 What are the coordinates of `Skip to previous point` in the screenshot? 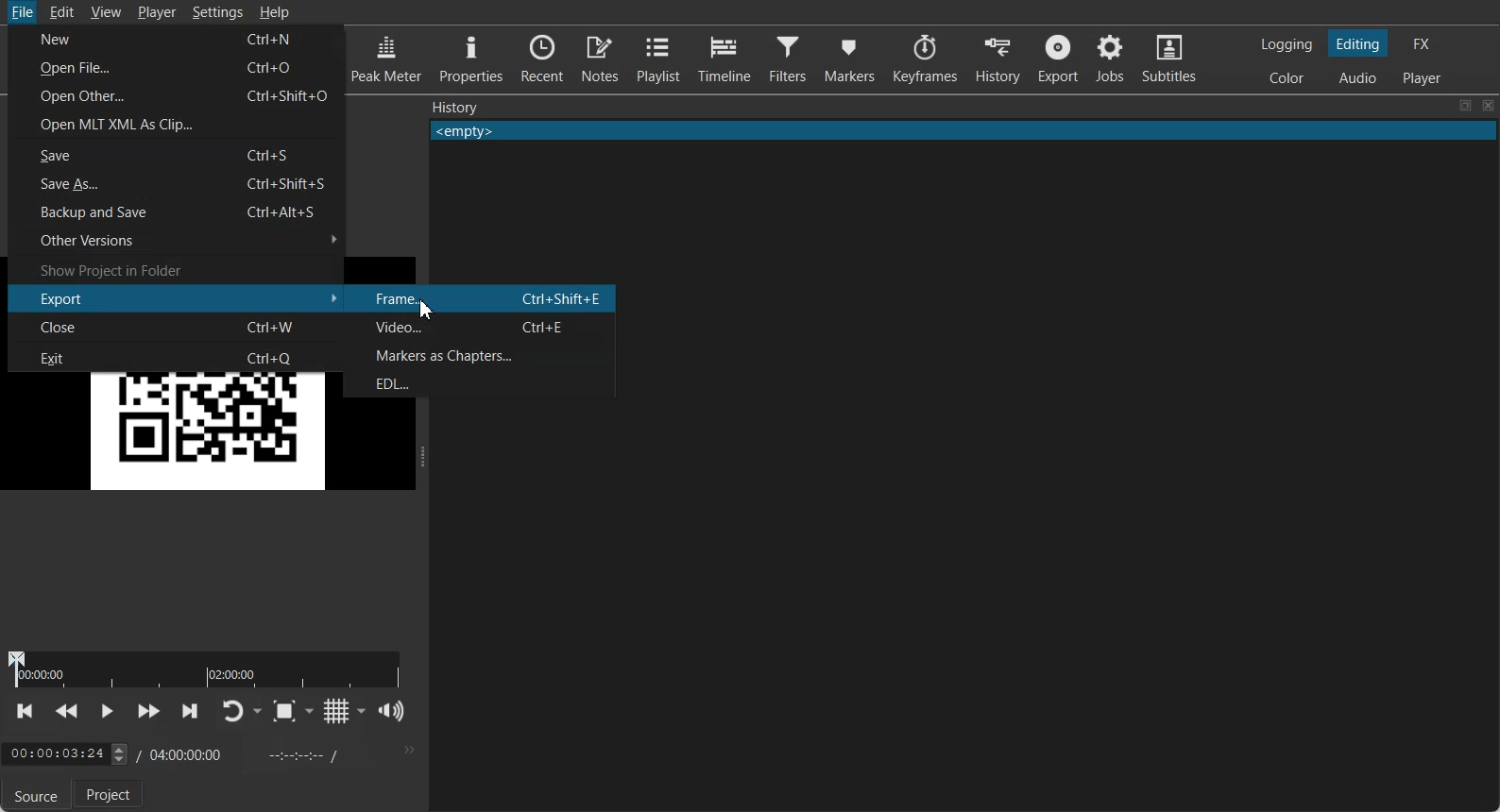 It's located at (26, 711).